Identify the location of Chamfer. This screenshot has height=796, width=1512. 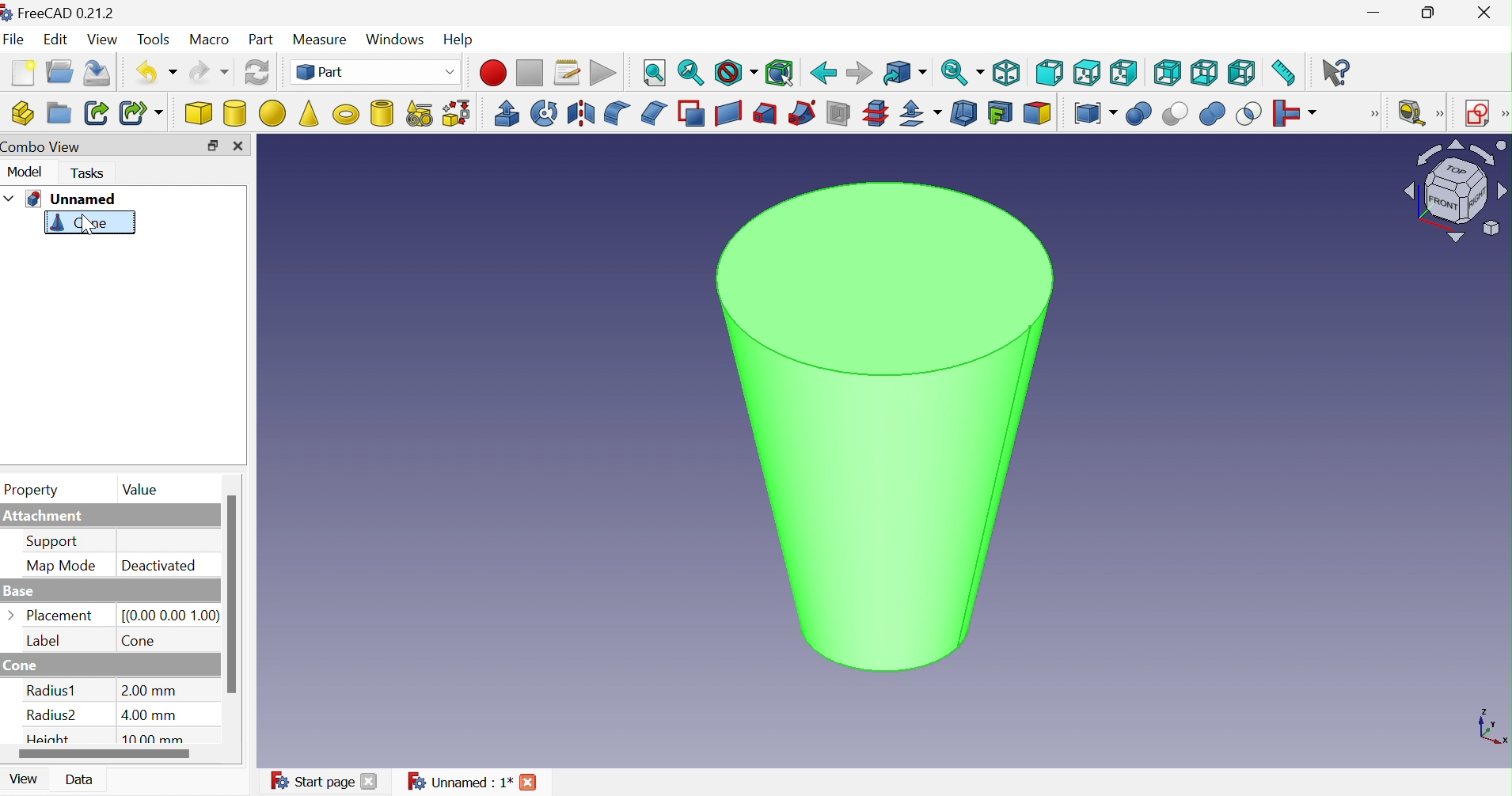
(655, 114).